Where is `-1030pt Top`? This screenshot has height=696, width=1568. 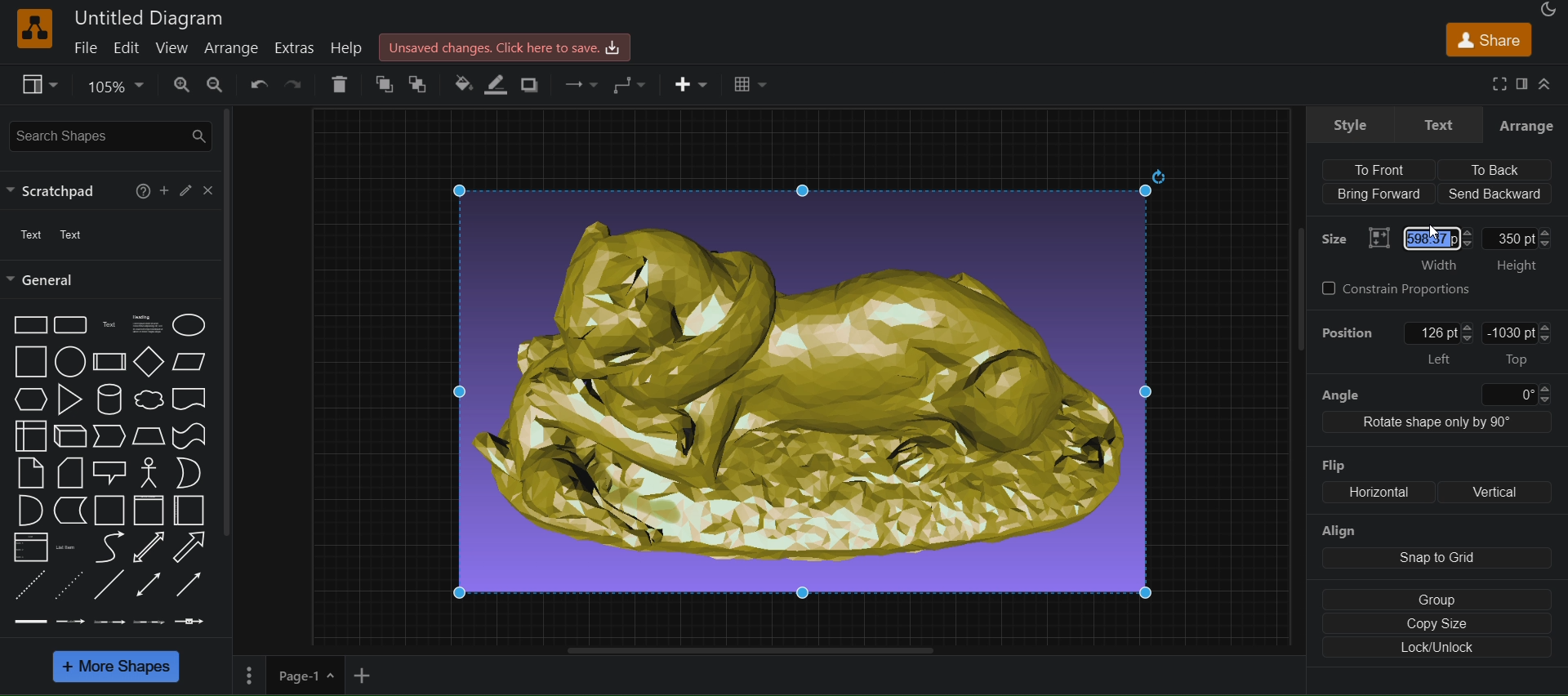
-1030pt Top is located at coordinates (1520, 344).